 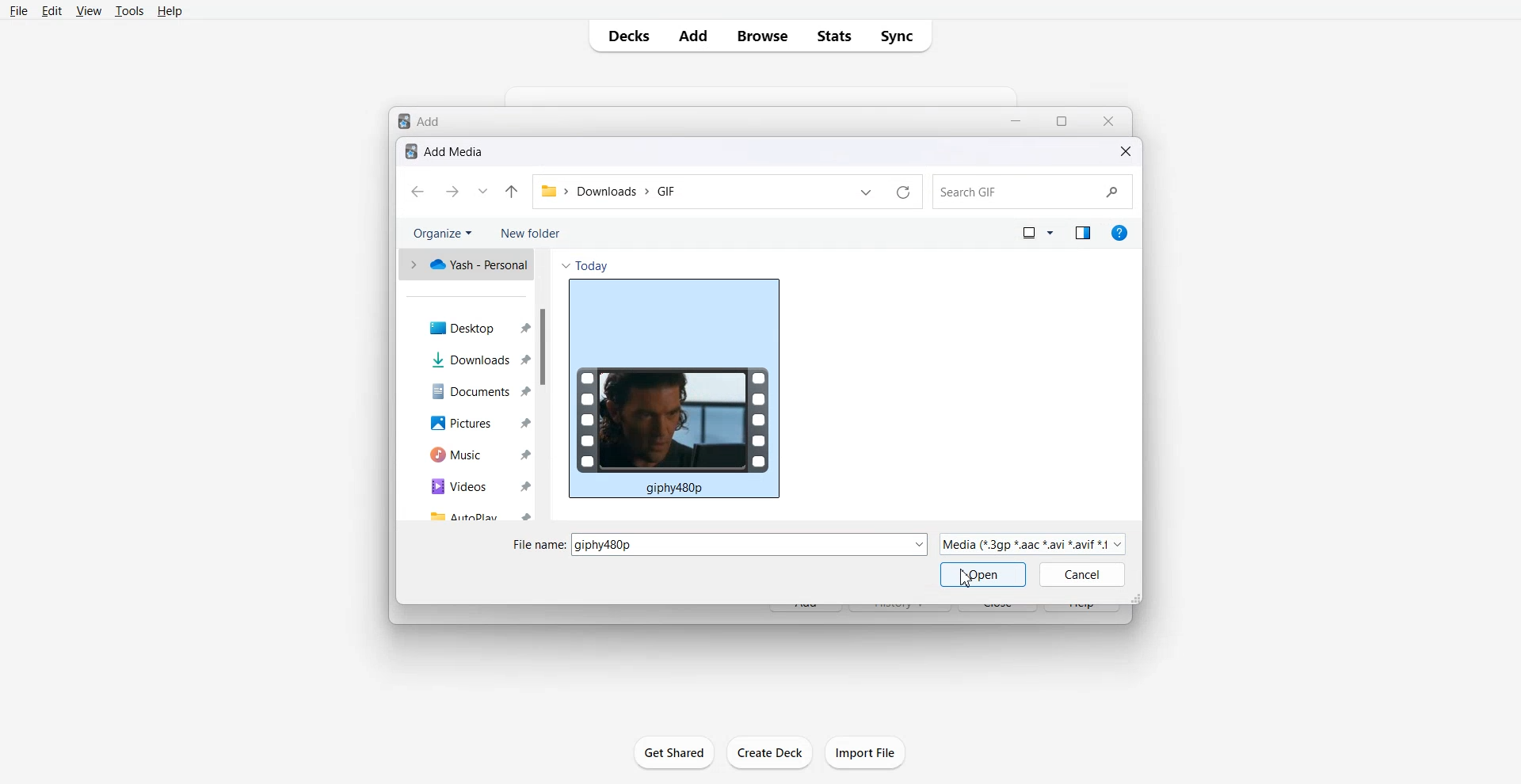 What do you see at coordinates (1120, 232) in the screenshot?
I see `Get help` at bounding box center [1120, 232].